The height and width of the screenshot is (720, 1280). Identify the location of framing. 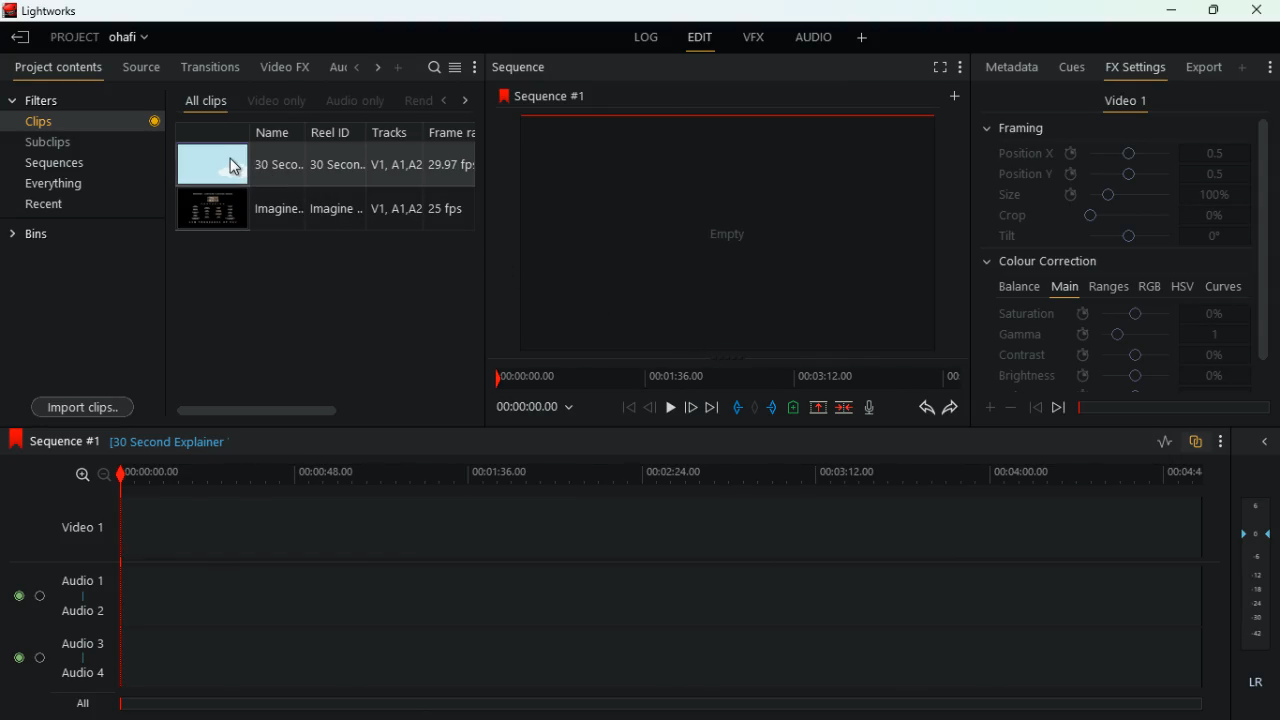
(1026, 129).